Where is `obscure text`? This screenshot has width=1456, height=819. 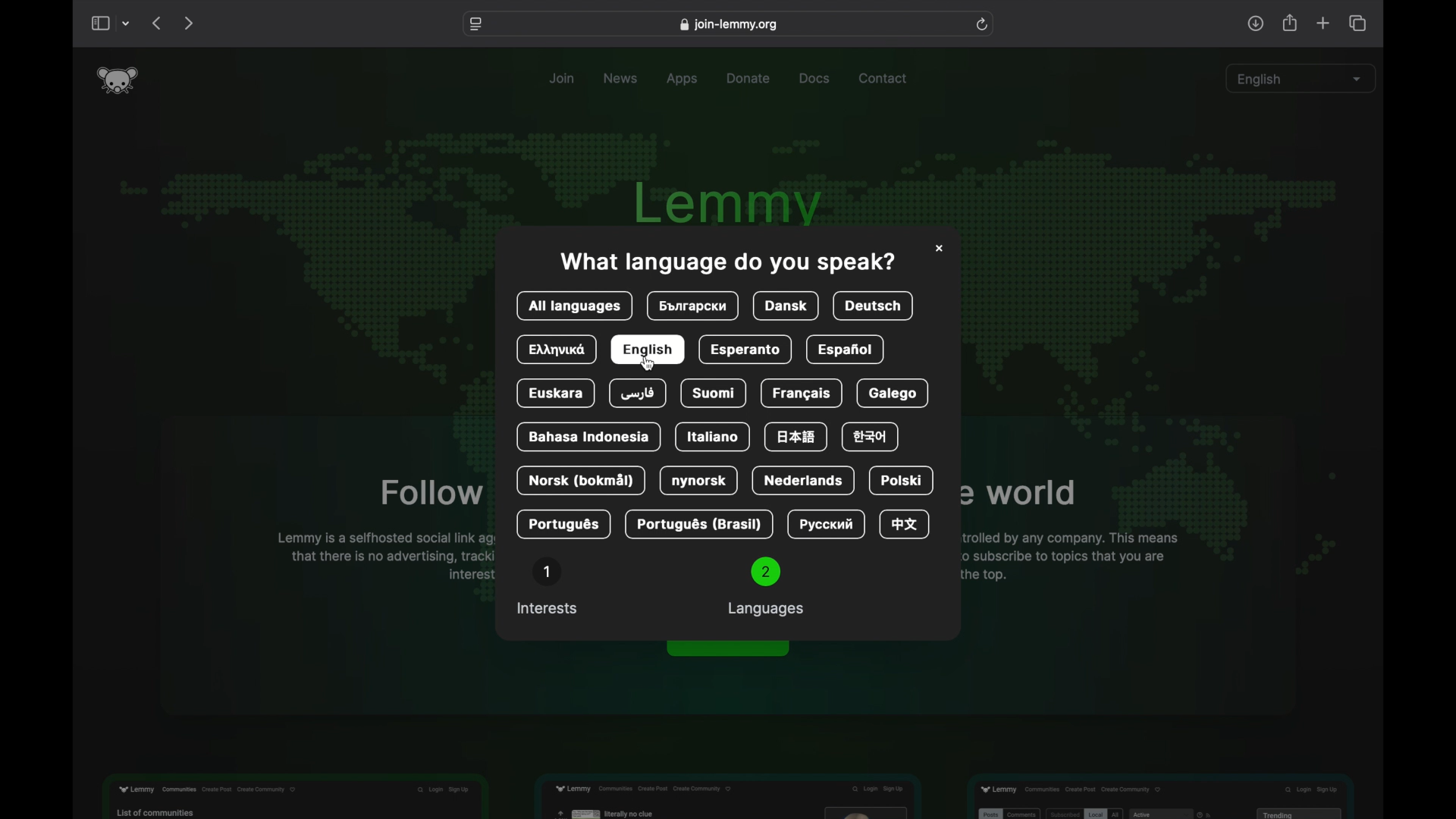
obscure text is located at coordinates (431, 494).